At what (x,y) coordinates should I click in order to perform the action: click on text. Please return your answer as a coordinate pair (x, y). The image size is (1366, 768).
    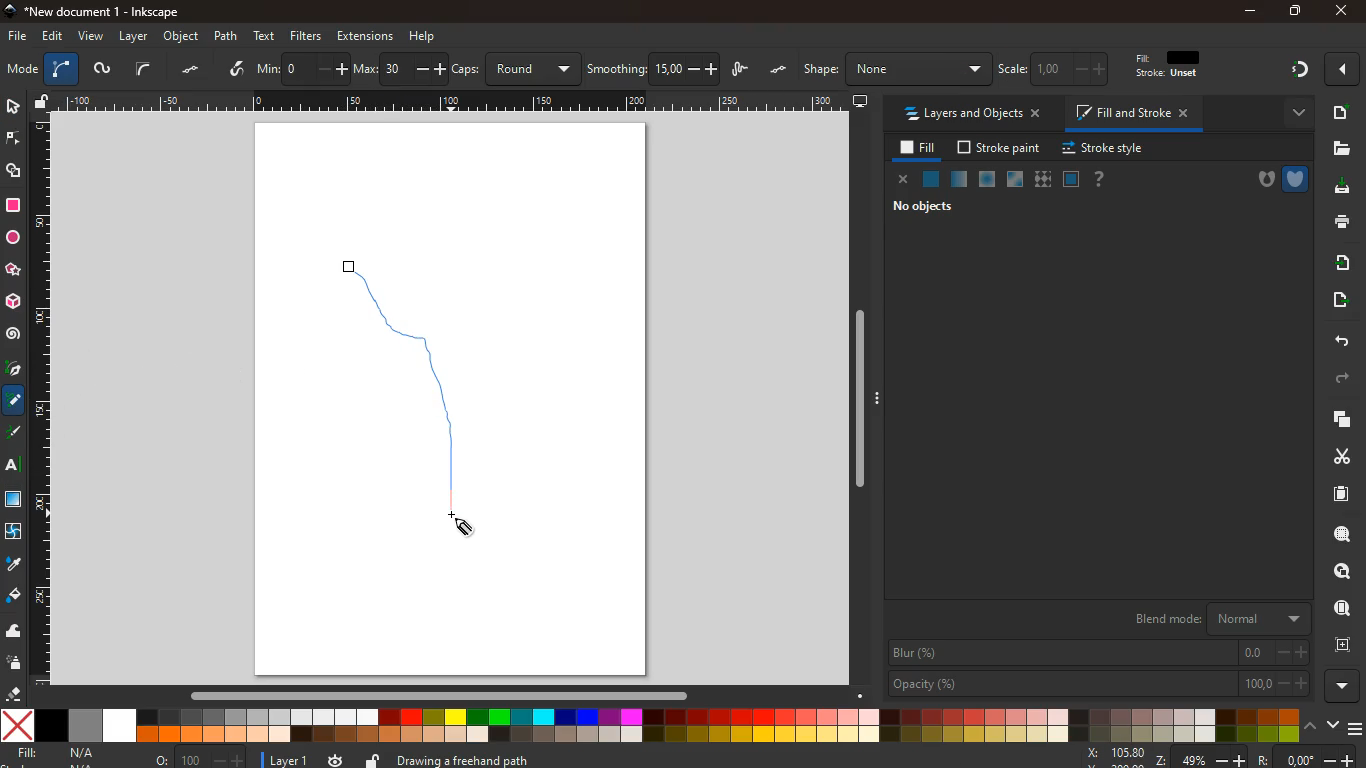
    Looking at the image, I should click on (266, 36).